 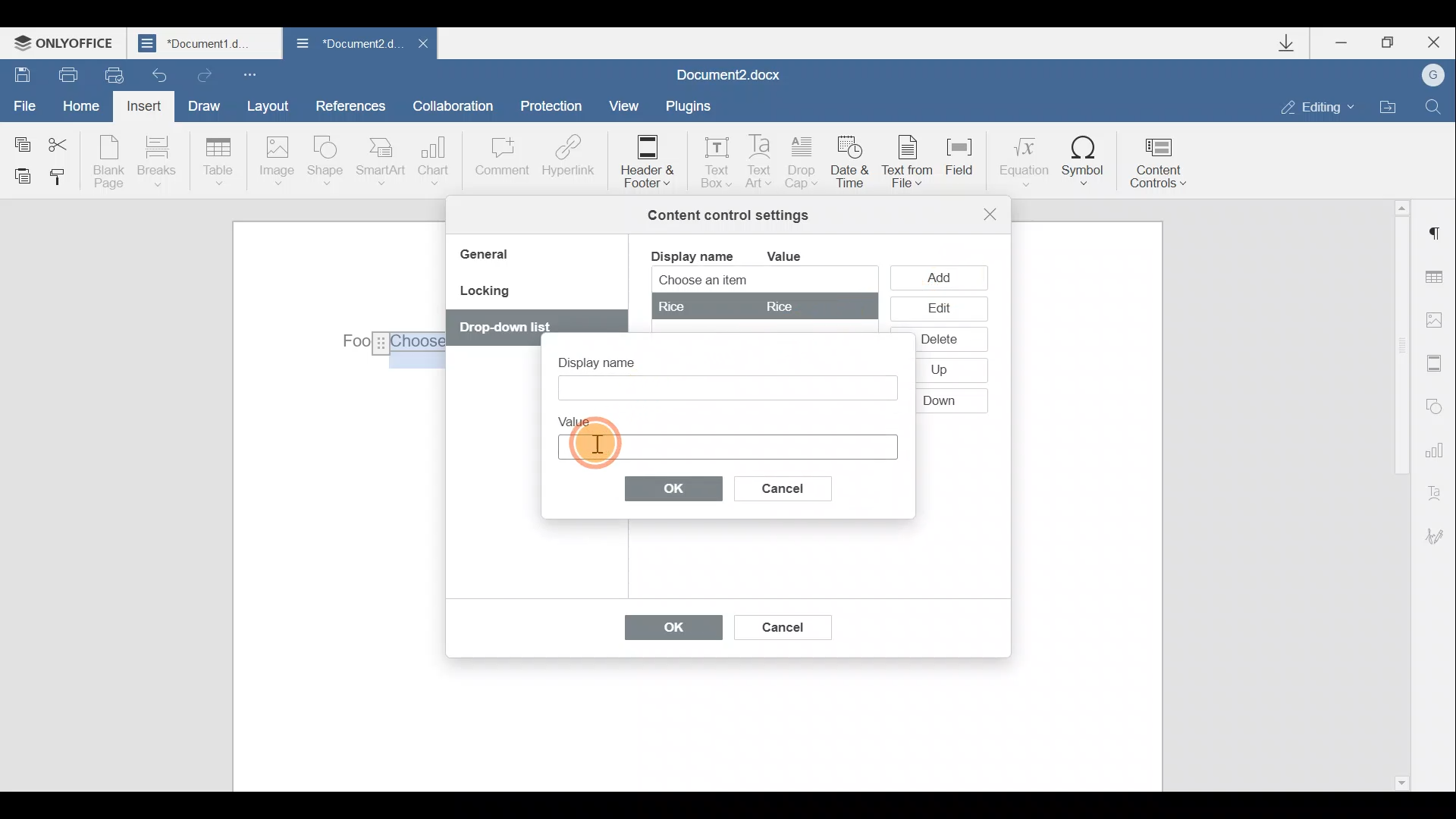 What do you see at coordinates (1437, 448) in the screenshot?
I see `Chart settings` at bounding box center [1437, 448].